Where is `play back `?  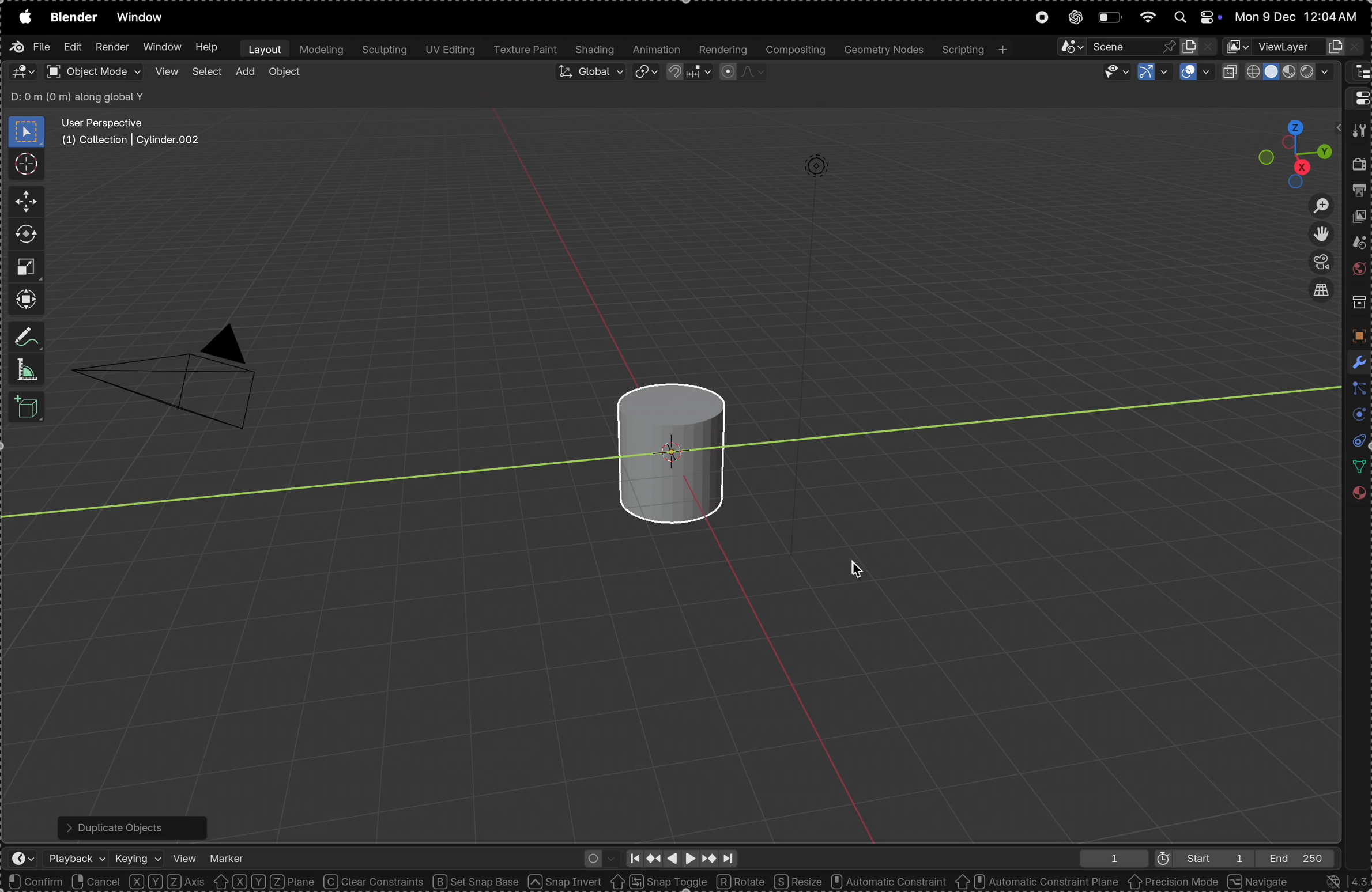 play back  is located at coordinates (77, 858).